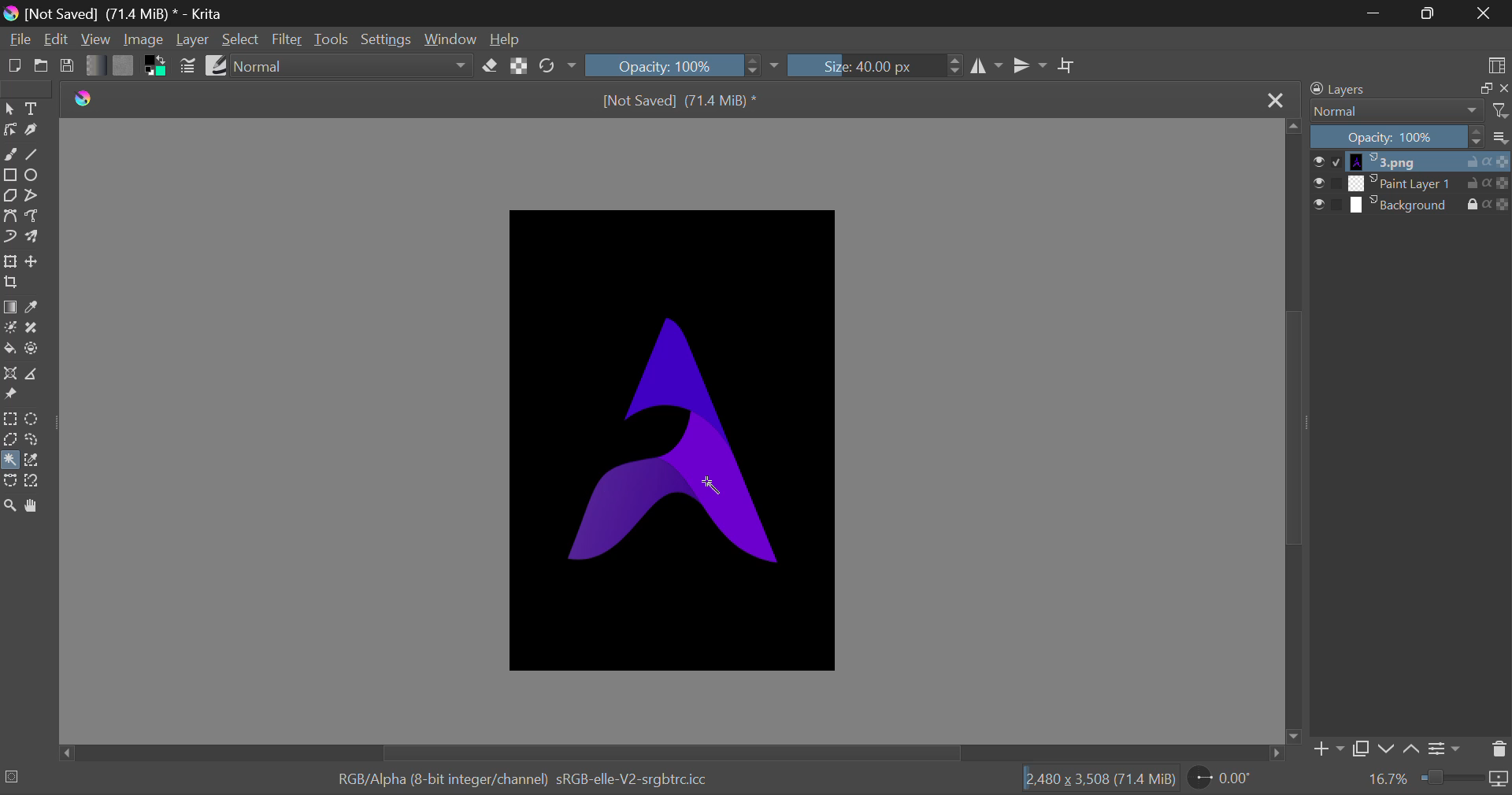 The height and width of the screenshot is (795, 1512). What do you see at coordinates (193, 39) in the screenshot?
I see `Layer` at bounding box center [193, 39].